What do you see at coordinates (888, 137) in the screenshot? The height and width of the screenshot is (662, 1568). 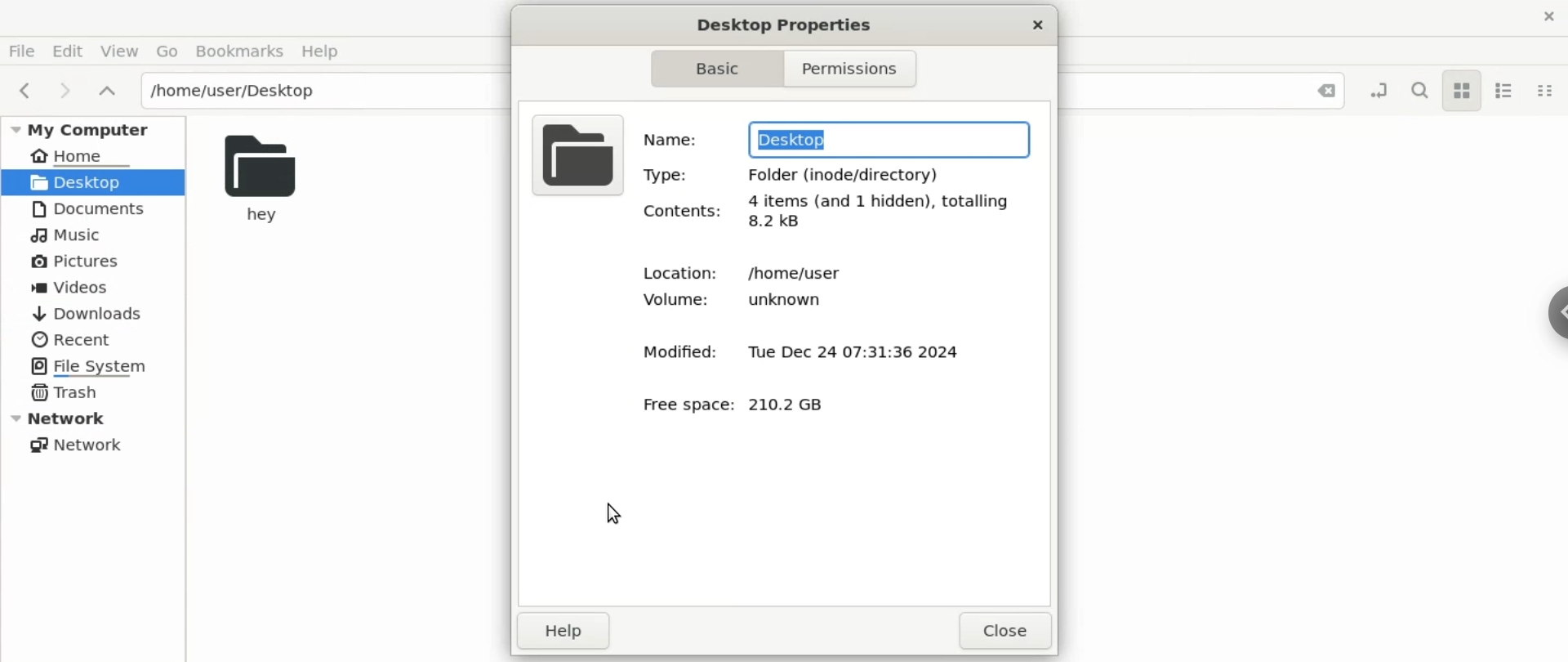 I see `desktop` at bounding box center [888, 137].